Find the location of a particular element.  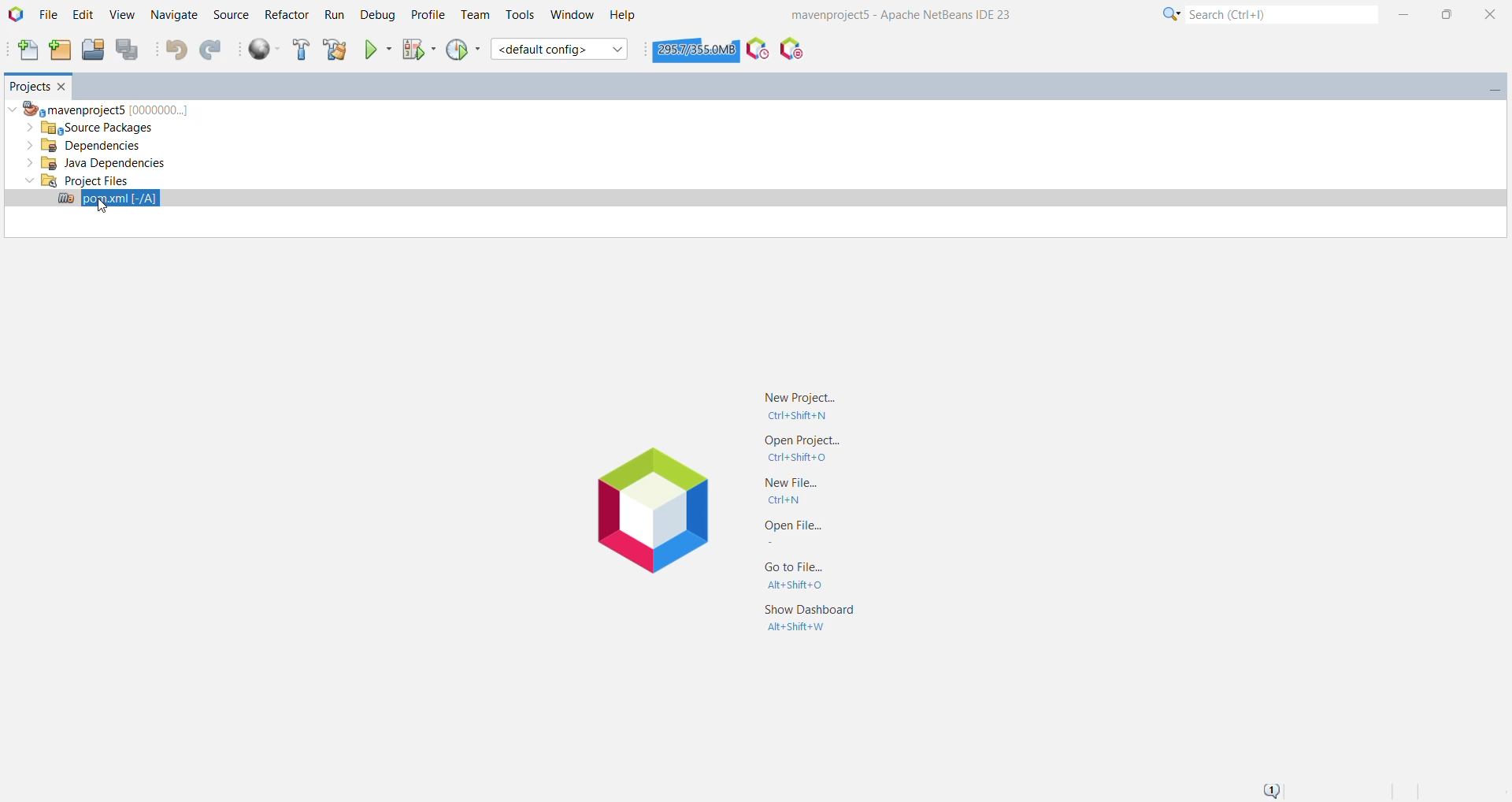

Run Project is located at coordinates (377, 50).